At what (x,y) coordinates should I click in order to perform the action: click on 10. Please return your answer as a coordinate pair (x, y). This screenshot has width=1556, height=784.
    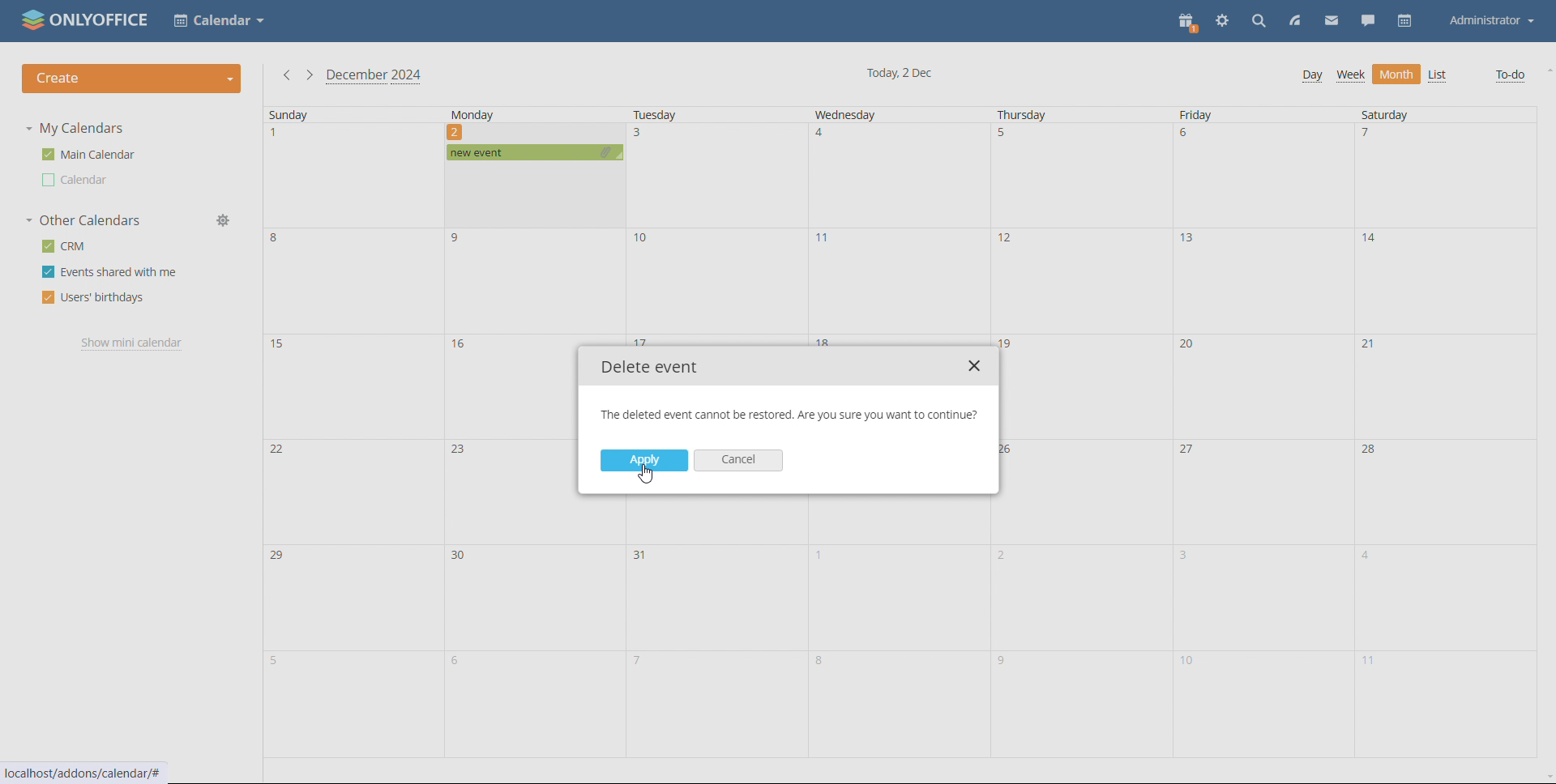
    Looking at the image, I should click on (645, 241).